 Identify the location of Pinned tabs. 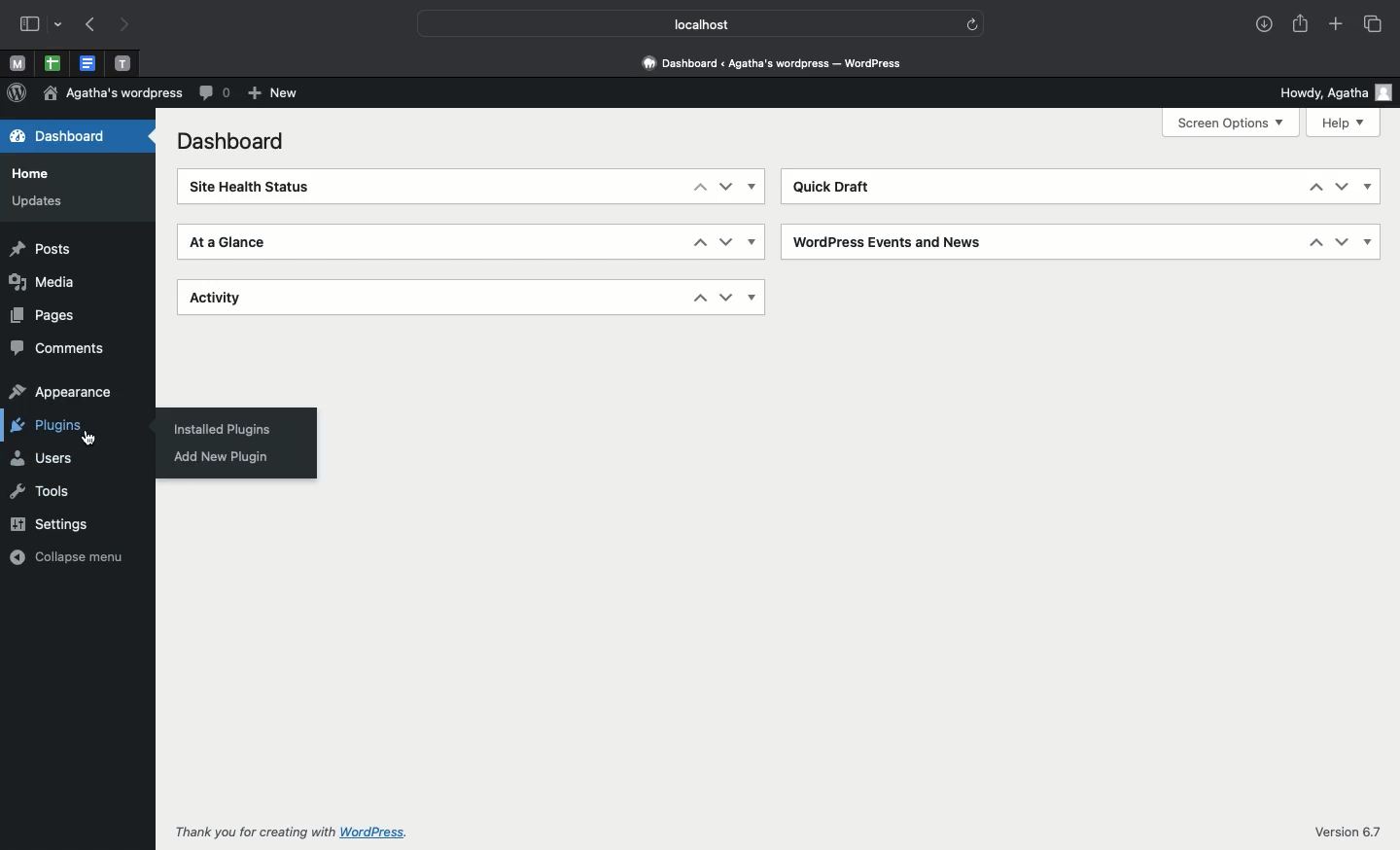
(89, 64).